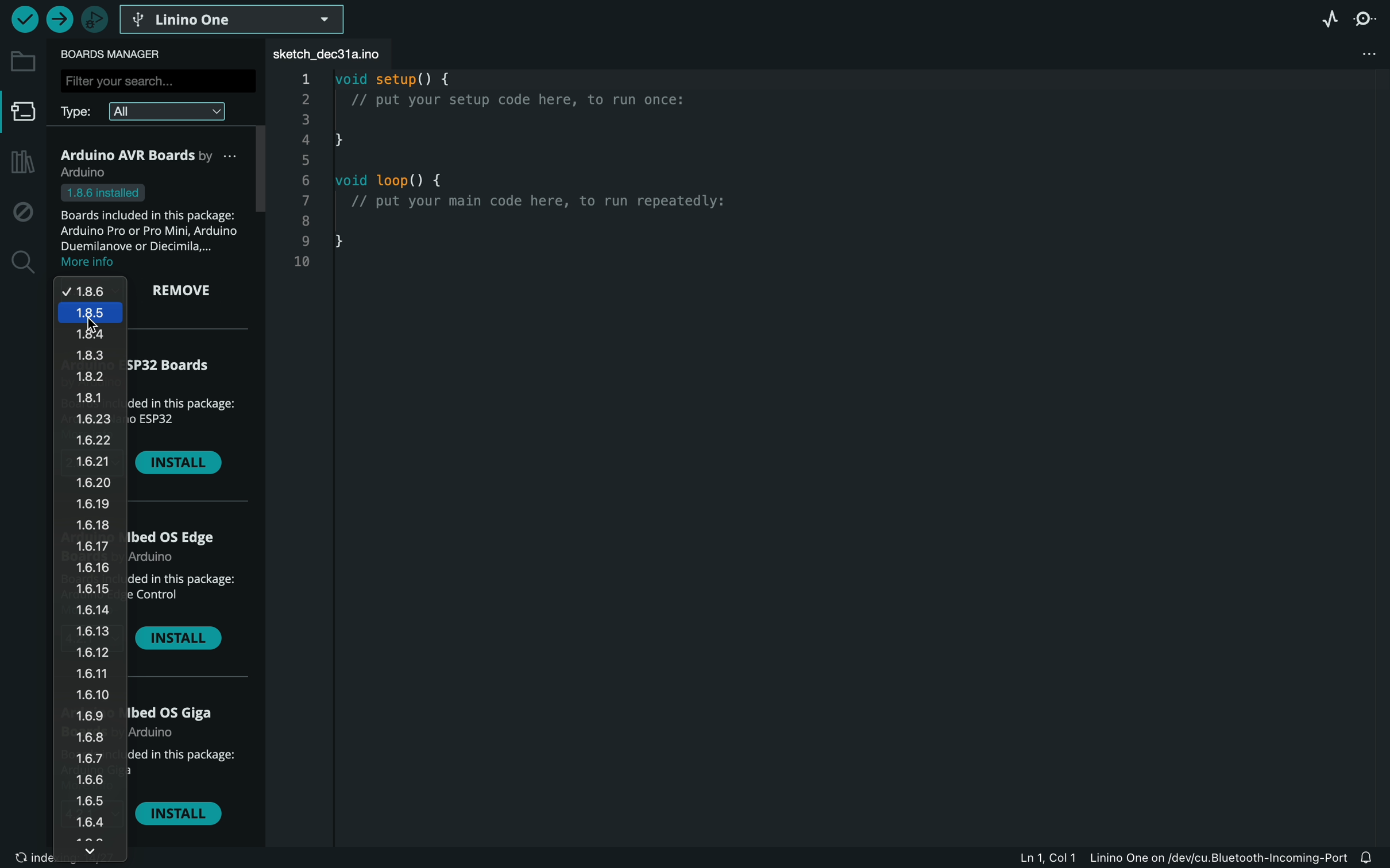 This screenshot has height=868, width=1390. What do you see at coordinates (1323, 18) in the screenshot?
I see `serial plotter` at bounding box center [1323, 18].